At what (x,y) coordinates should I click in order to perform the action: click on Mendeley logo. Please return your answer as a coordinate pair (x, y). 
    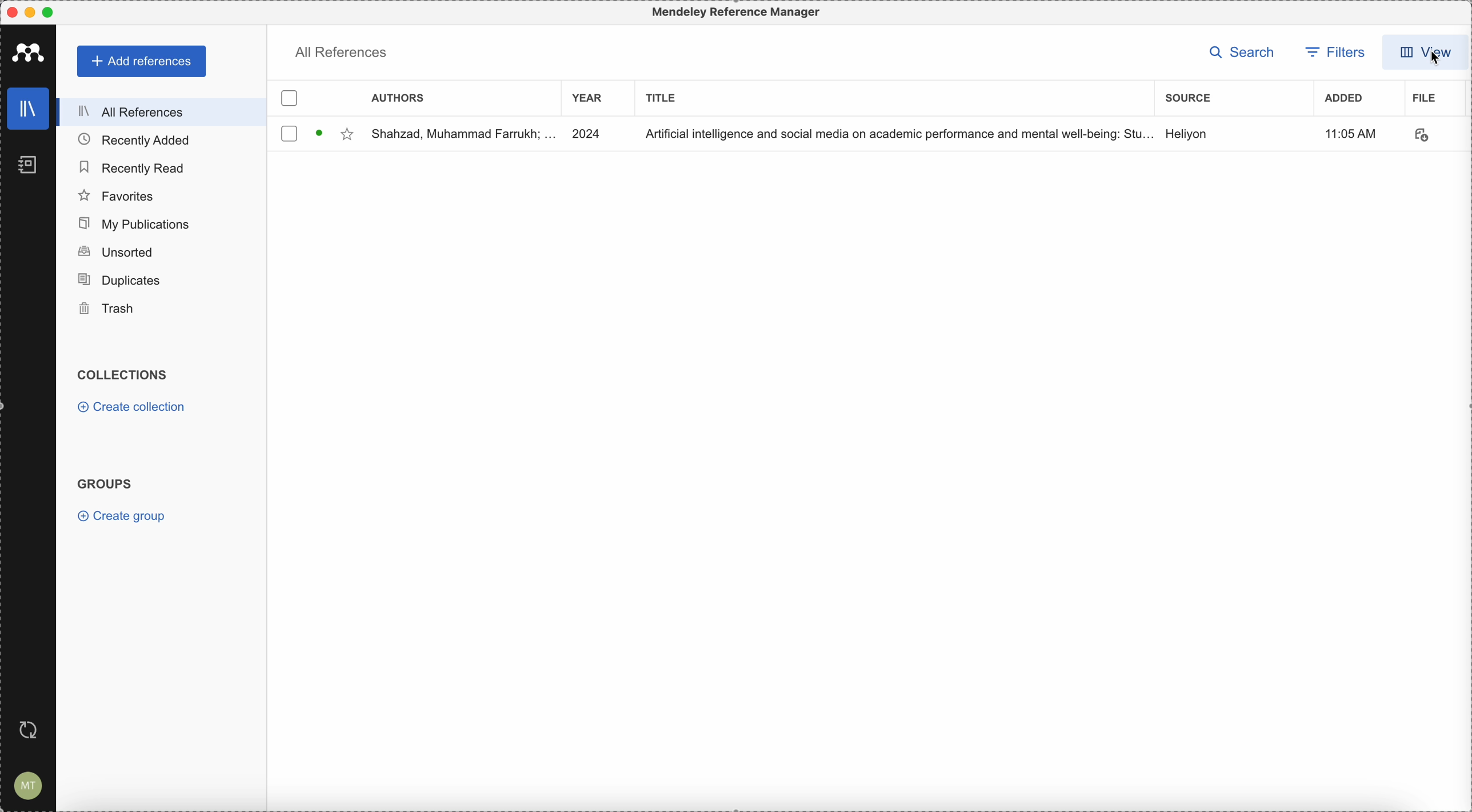
    Looking at the image, I should click on (29, 51).